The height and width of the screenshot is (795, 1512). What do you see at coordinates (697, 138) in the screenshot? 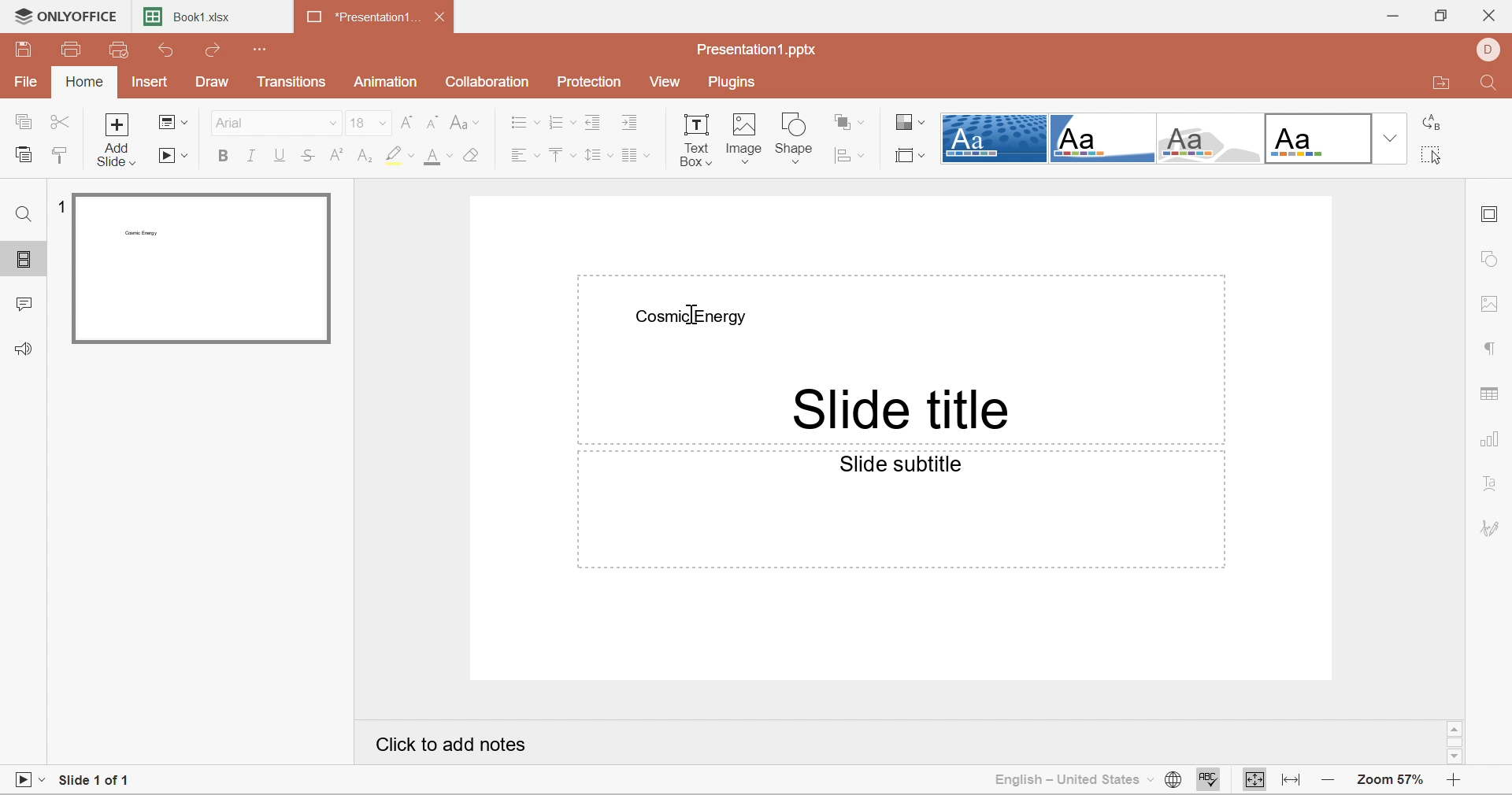
I see `Text Box` at bounding box center [697, 138].